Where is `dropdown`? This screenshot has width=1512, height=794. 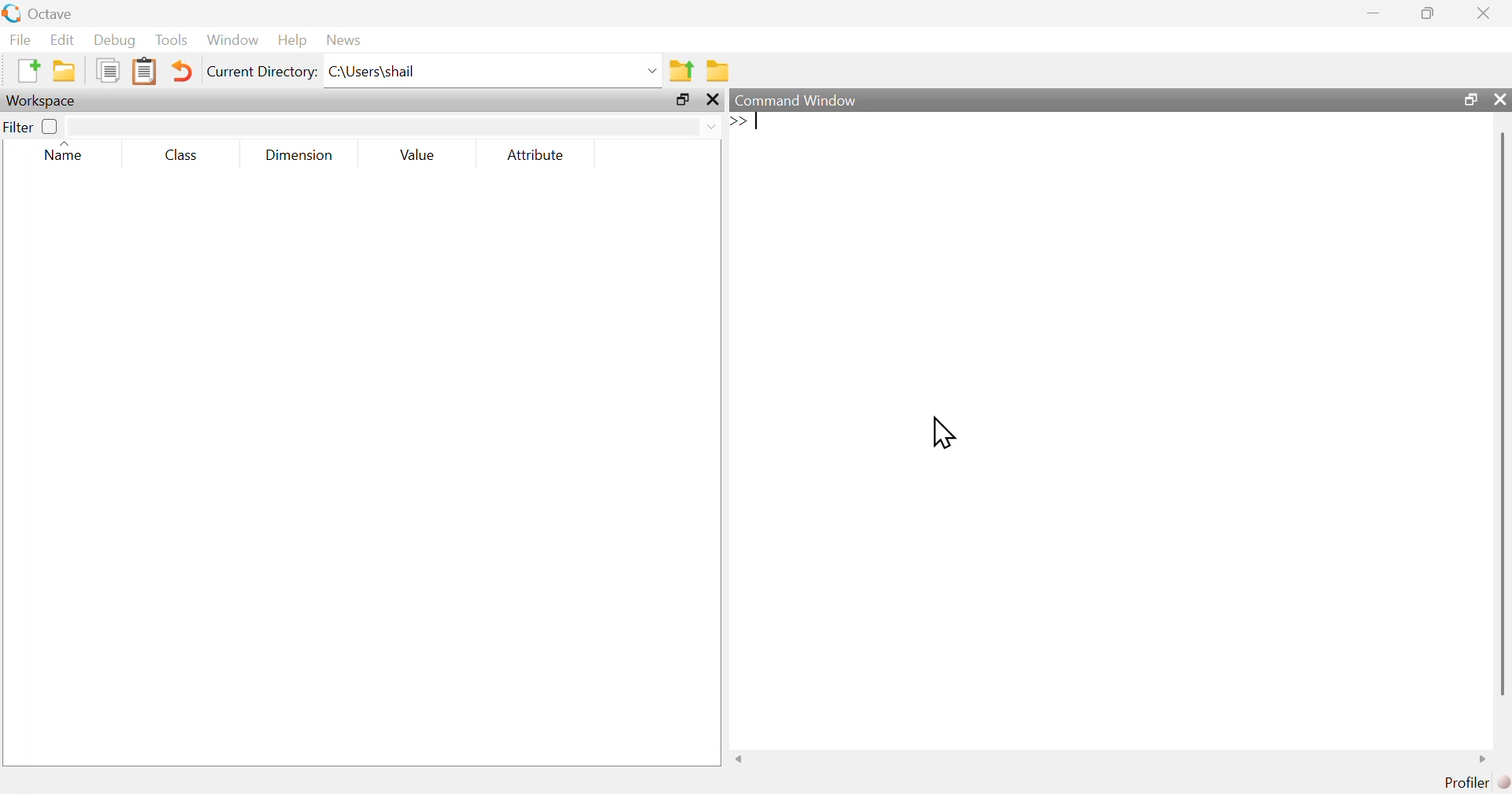
dropdown is located at coordinates (650, 70).